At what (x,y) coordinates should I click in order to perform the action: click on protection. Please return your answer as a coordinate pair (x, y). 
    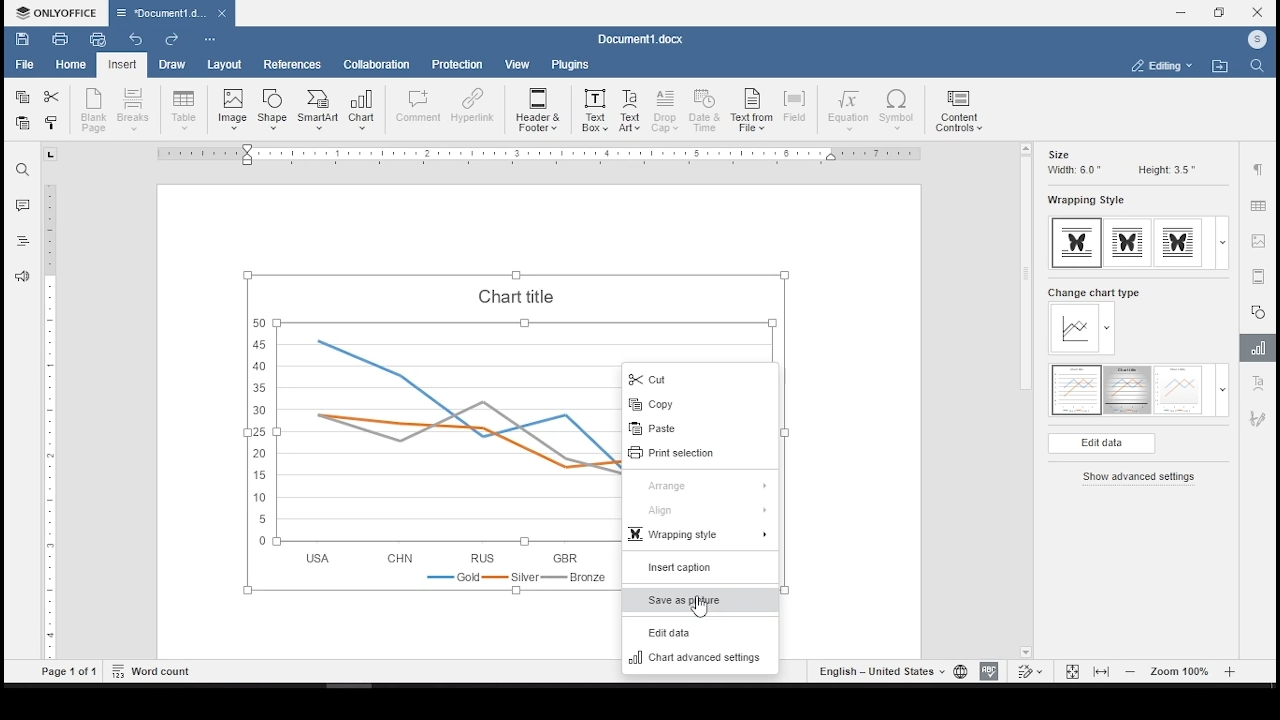
    Looking at the image, I should click on (455, 65).